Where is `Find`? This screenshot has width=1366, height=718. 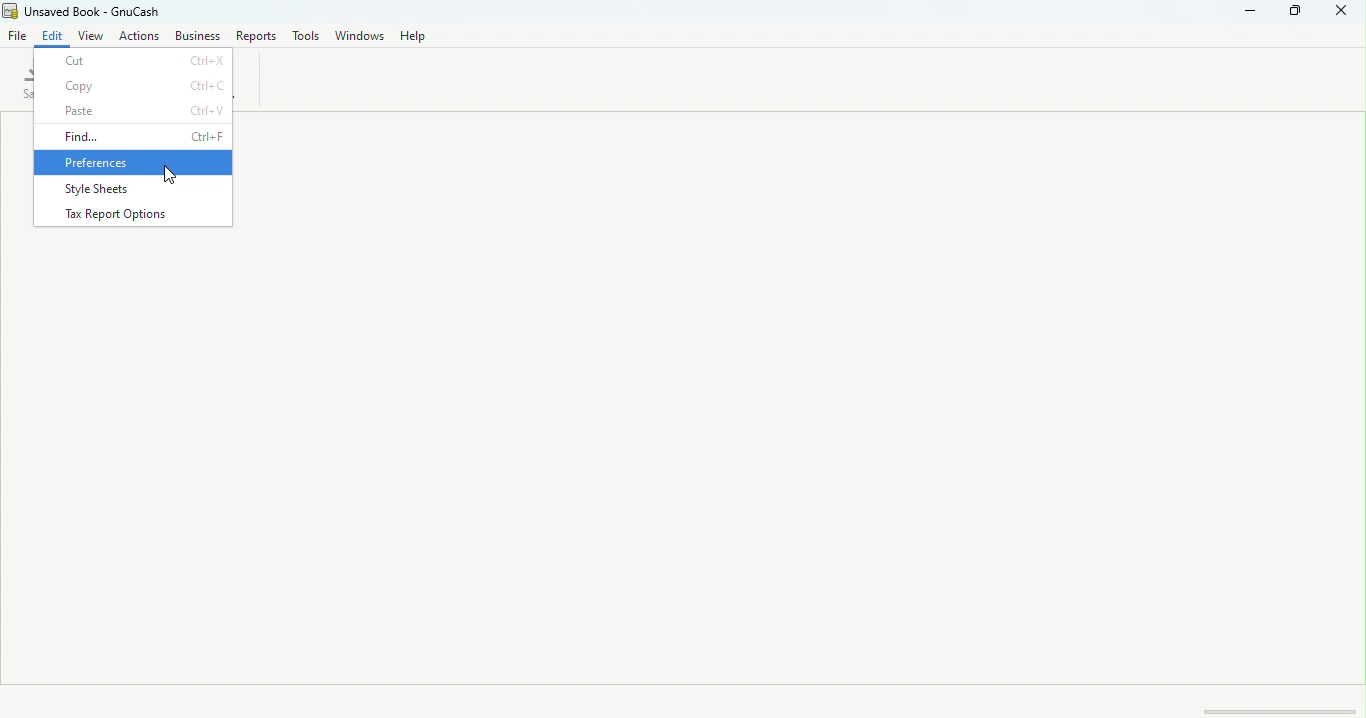 Find is located at coordinates (132, 140).